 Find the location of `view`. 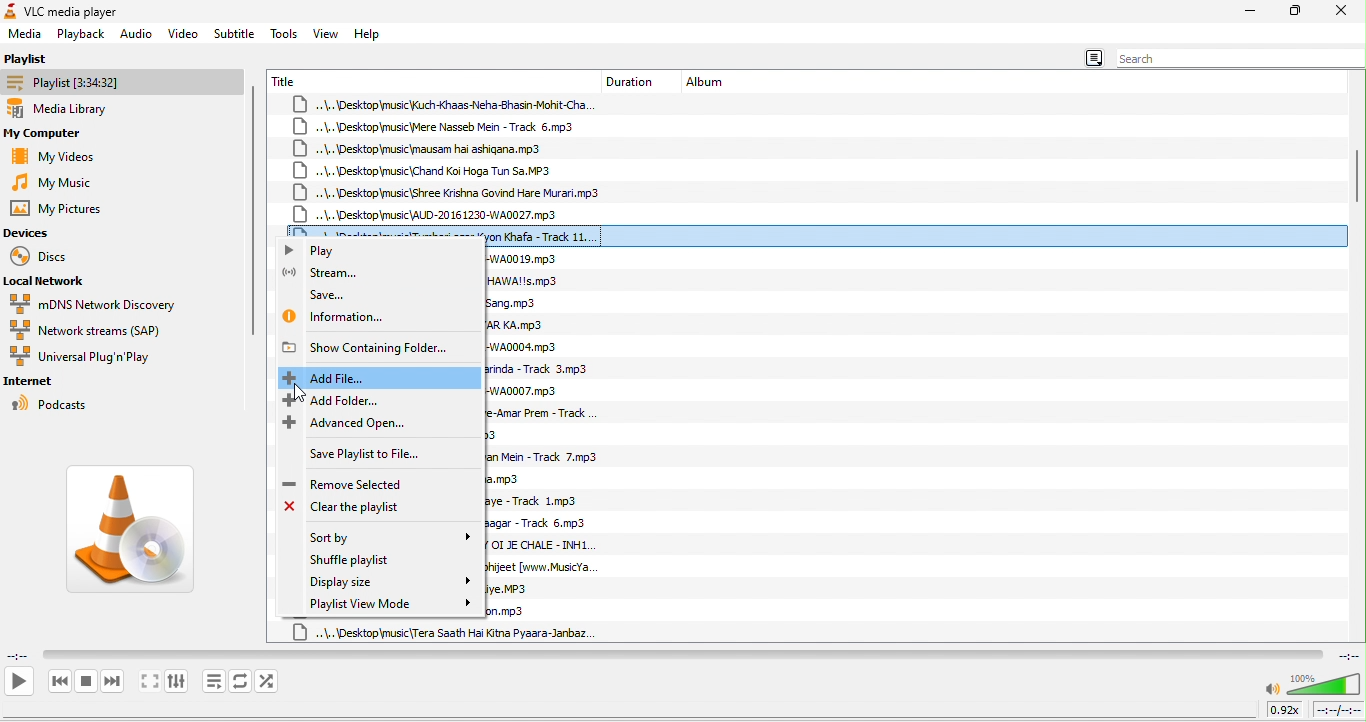

view is located at coordinates (327, 33).